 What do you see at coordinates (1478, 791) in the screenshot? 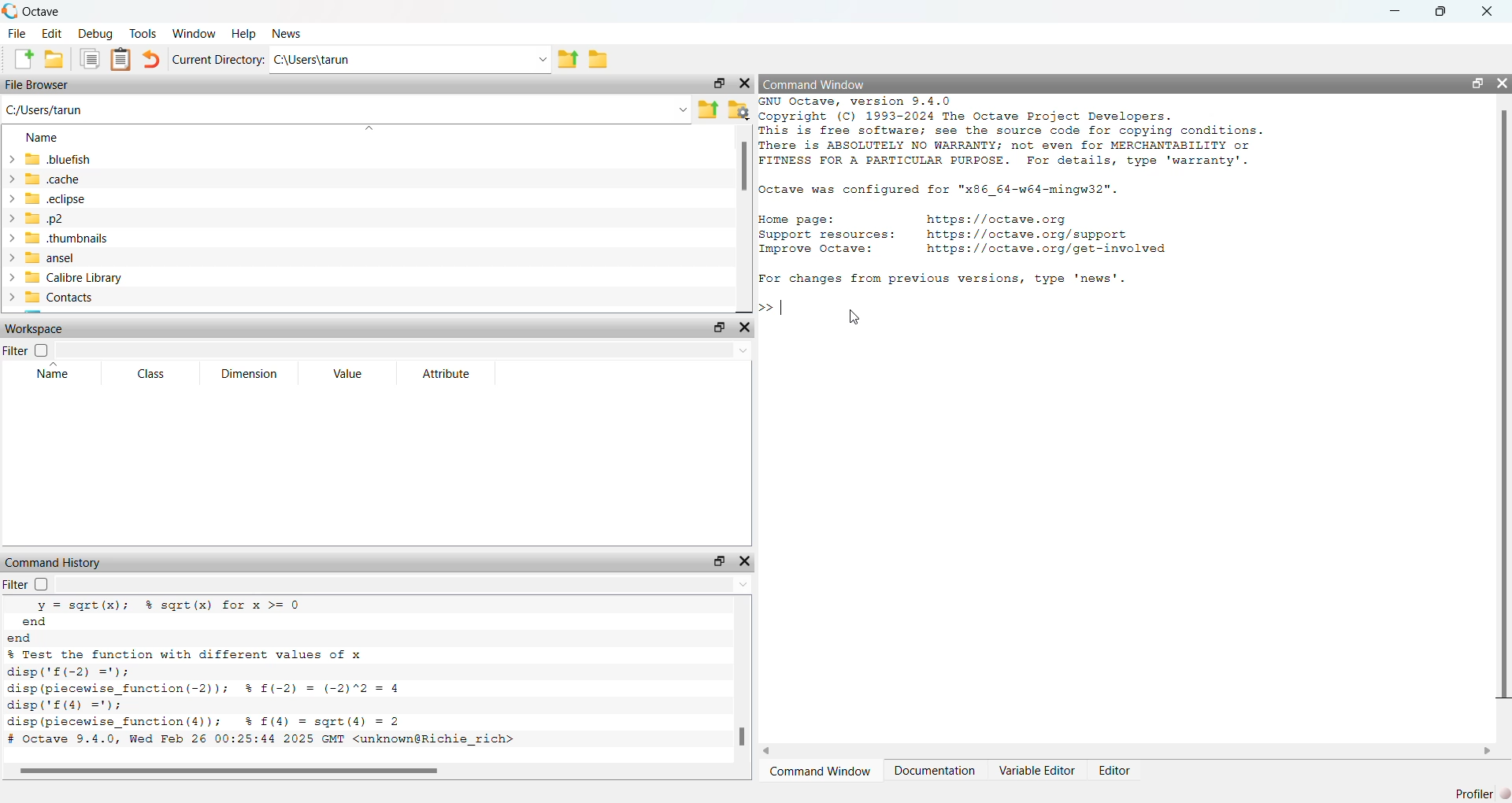
I see `Profiler` at bounding box center [1478, 791].